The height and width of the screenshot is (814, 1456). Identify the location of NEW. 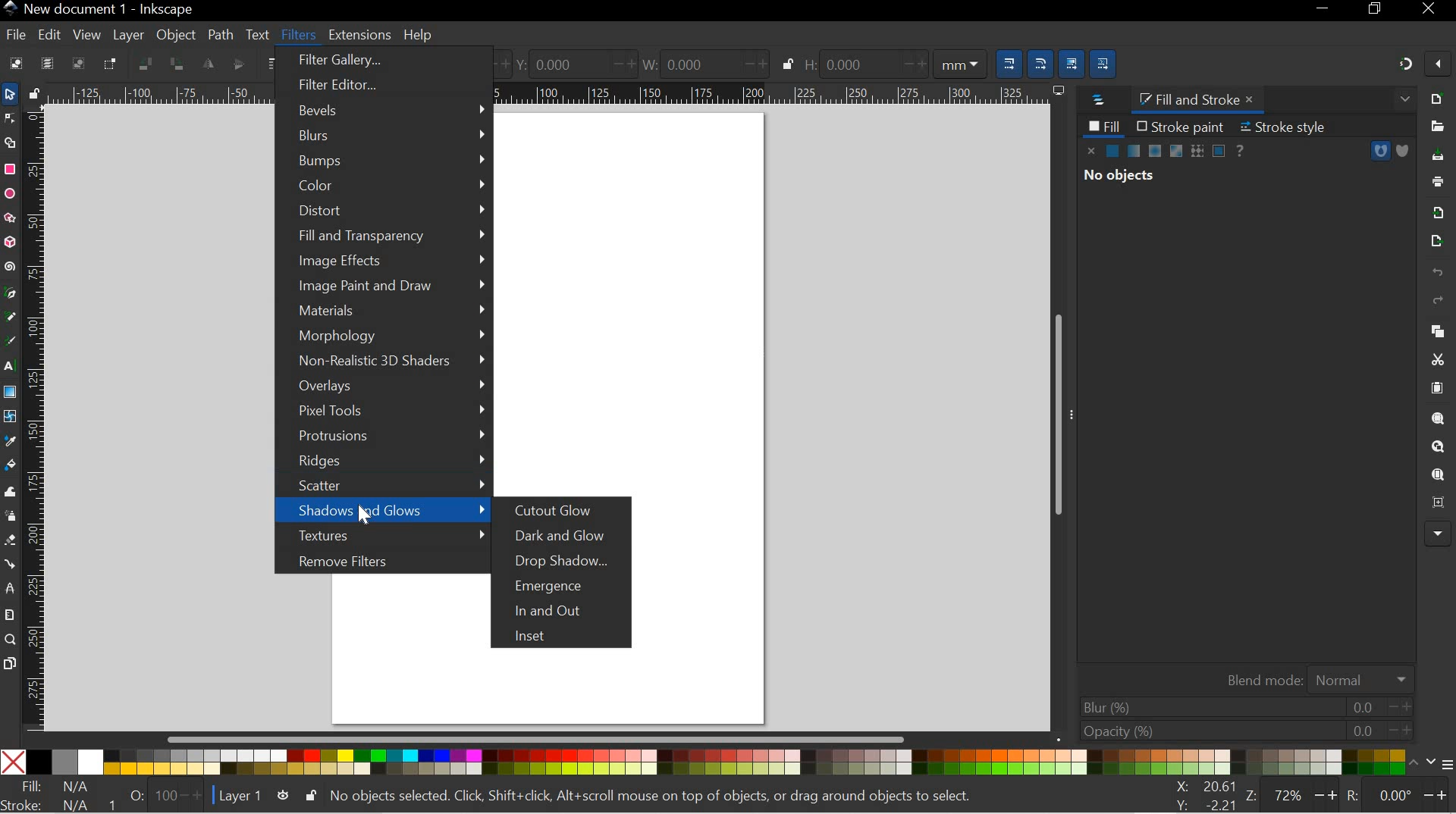
(1438, 98).